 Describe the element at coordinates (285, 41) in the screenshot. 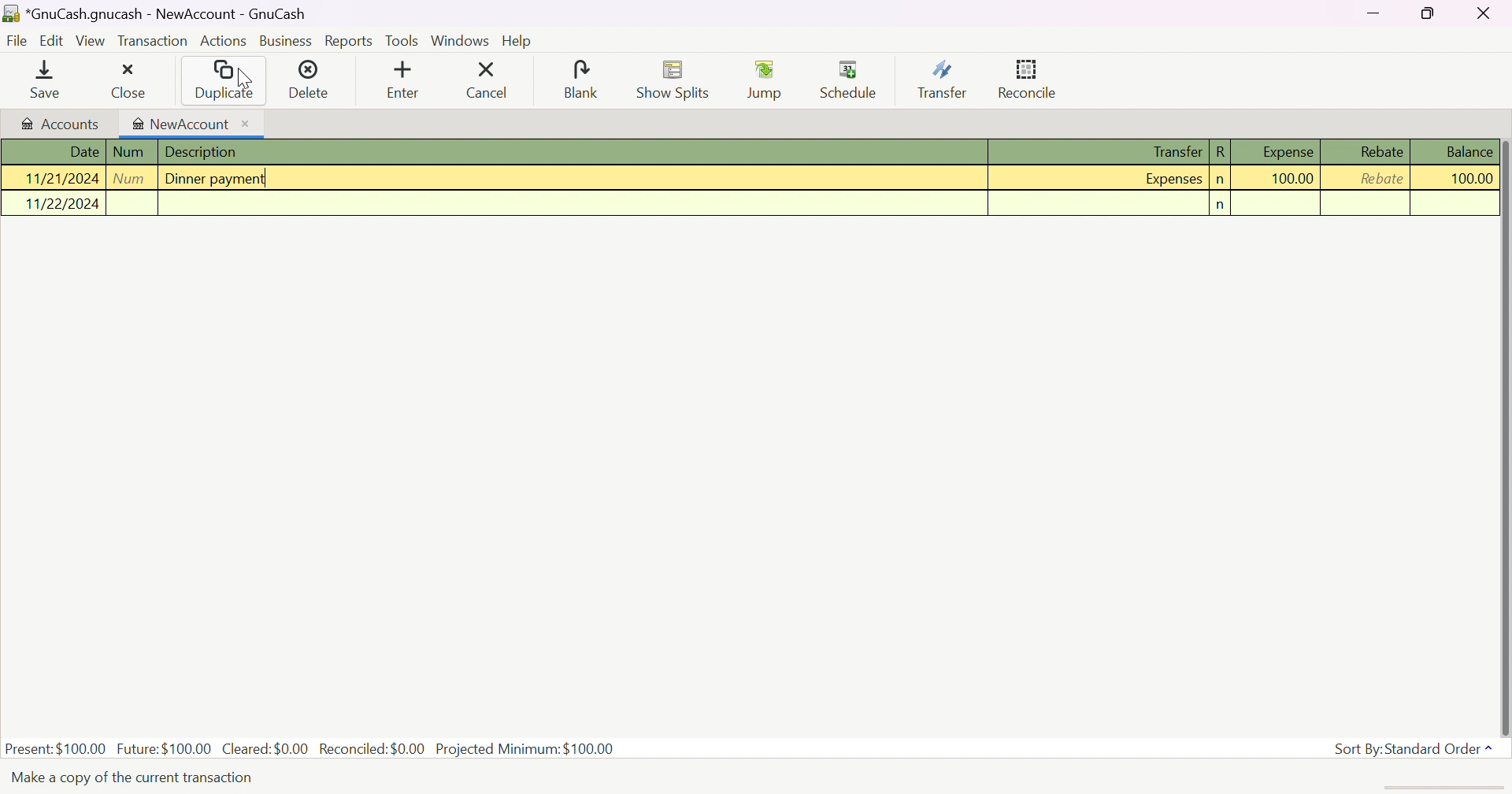

I see `Business` at that location.